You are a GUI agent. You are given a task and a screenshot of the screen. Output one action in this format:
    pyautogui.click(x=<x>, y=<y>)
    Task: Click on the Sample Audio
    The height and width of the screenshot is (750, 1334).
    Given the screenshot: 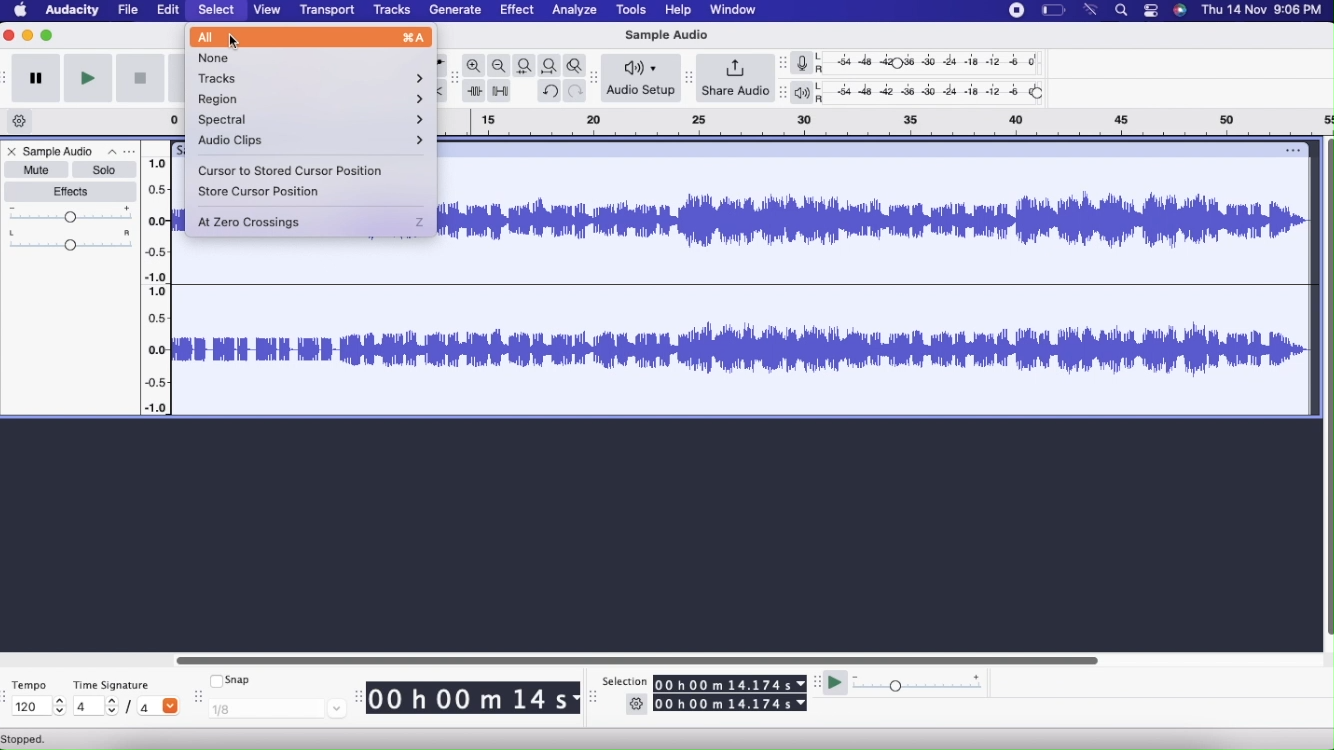 What is the action you would take?
    pyautogui.click(x=304, y=349)
    